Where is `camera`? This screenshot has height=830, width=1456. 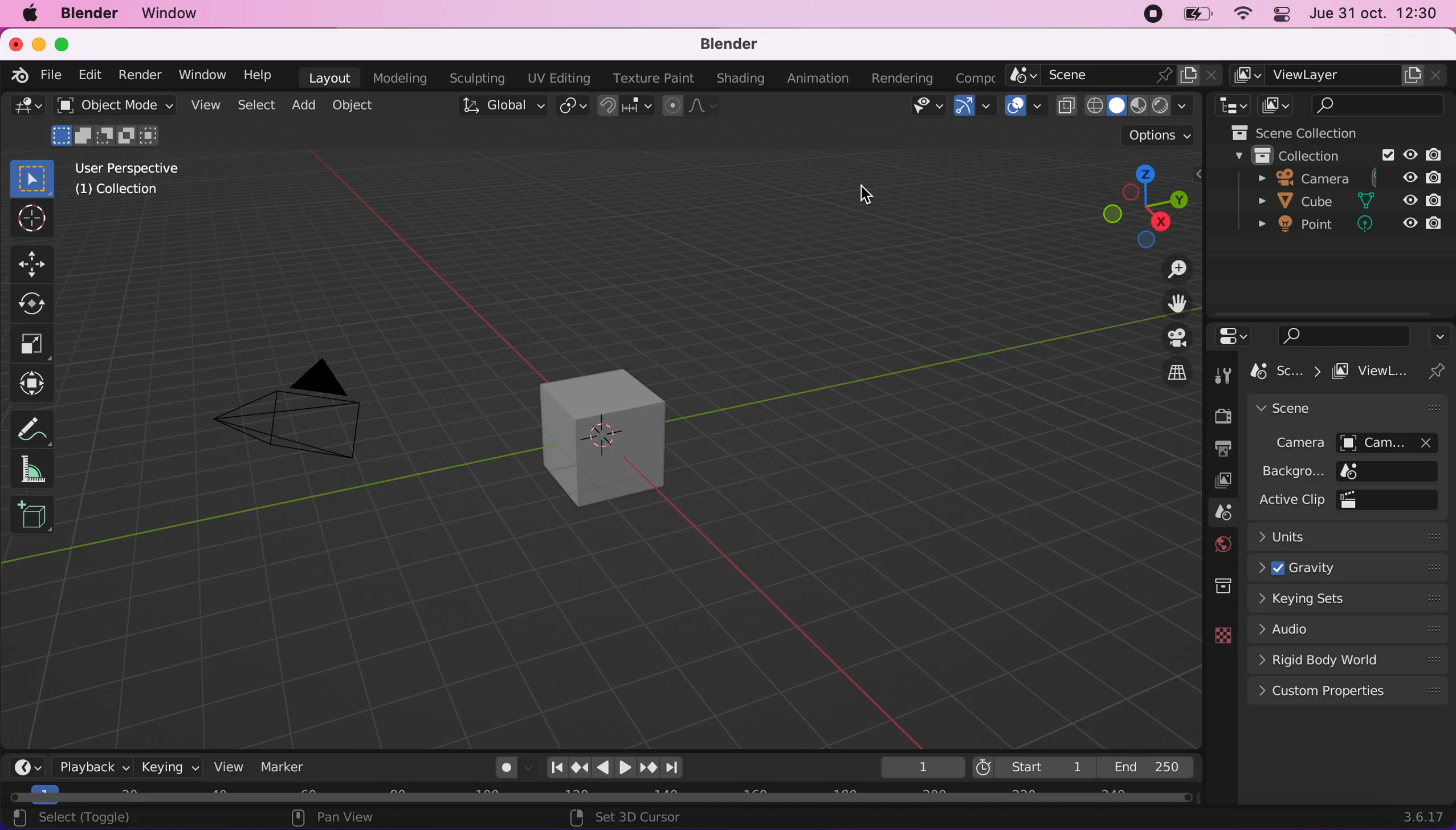 camera is located at coordinates (1396, 442).